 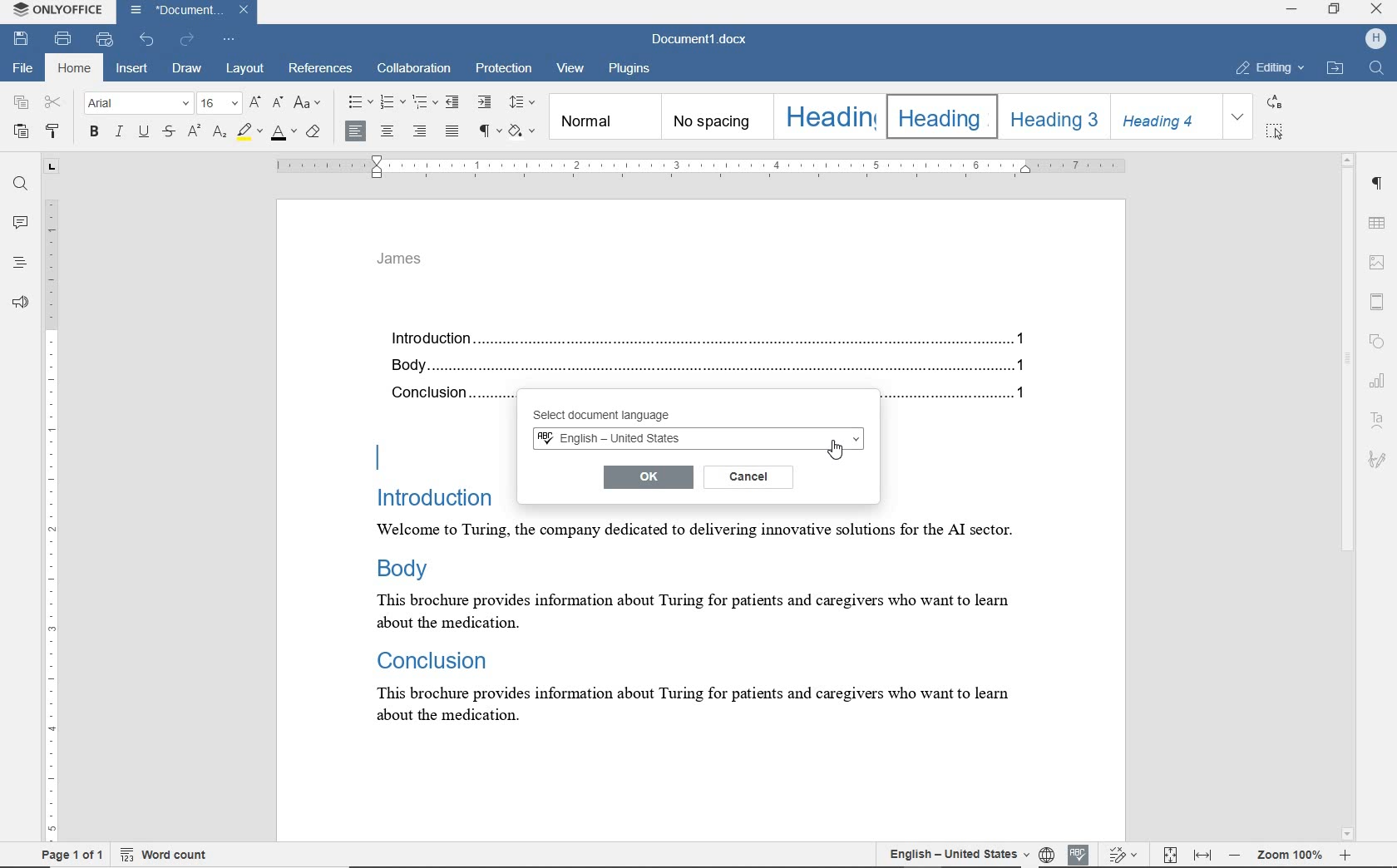 I want to click on document name, so click(x=703, y=37).